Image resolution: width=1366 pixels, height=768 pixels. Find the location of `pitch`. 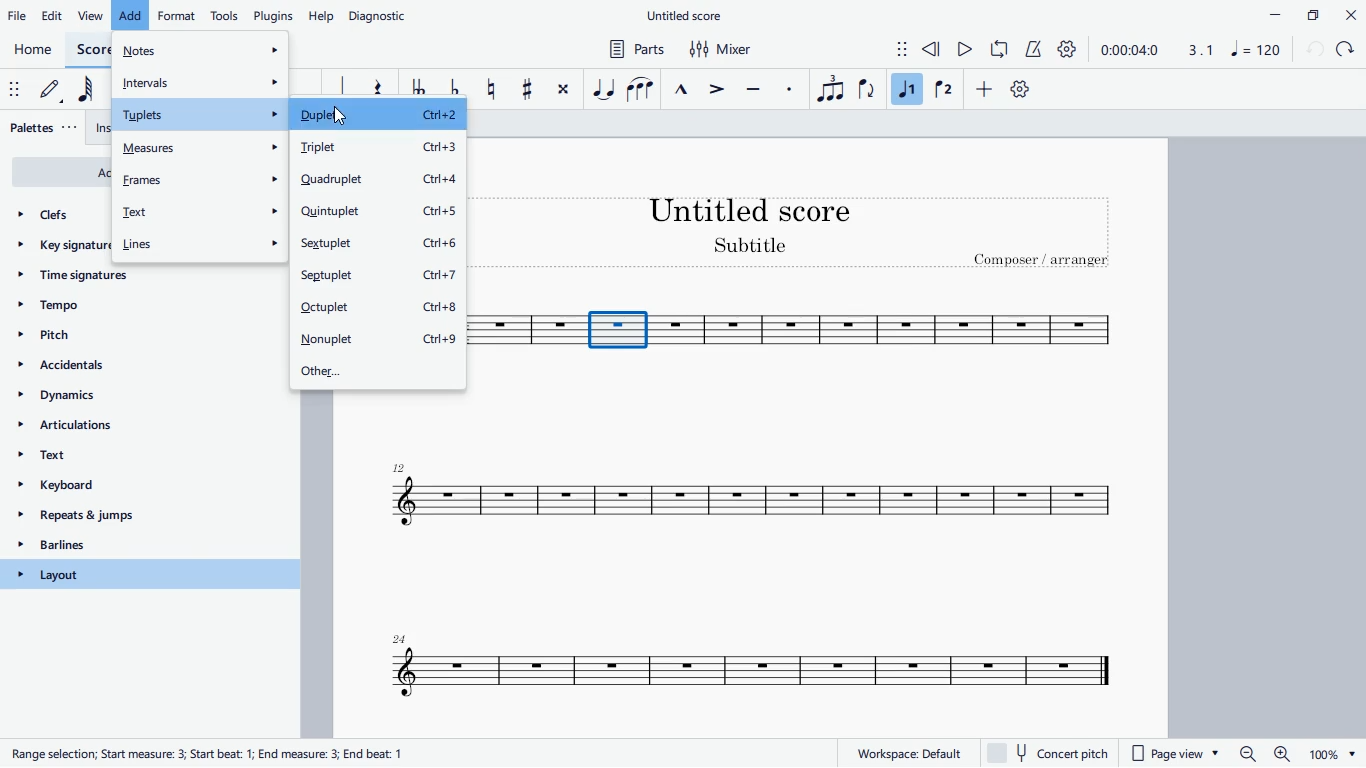

pitch is located at coordinates (79, 334).